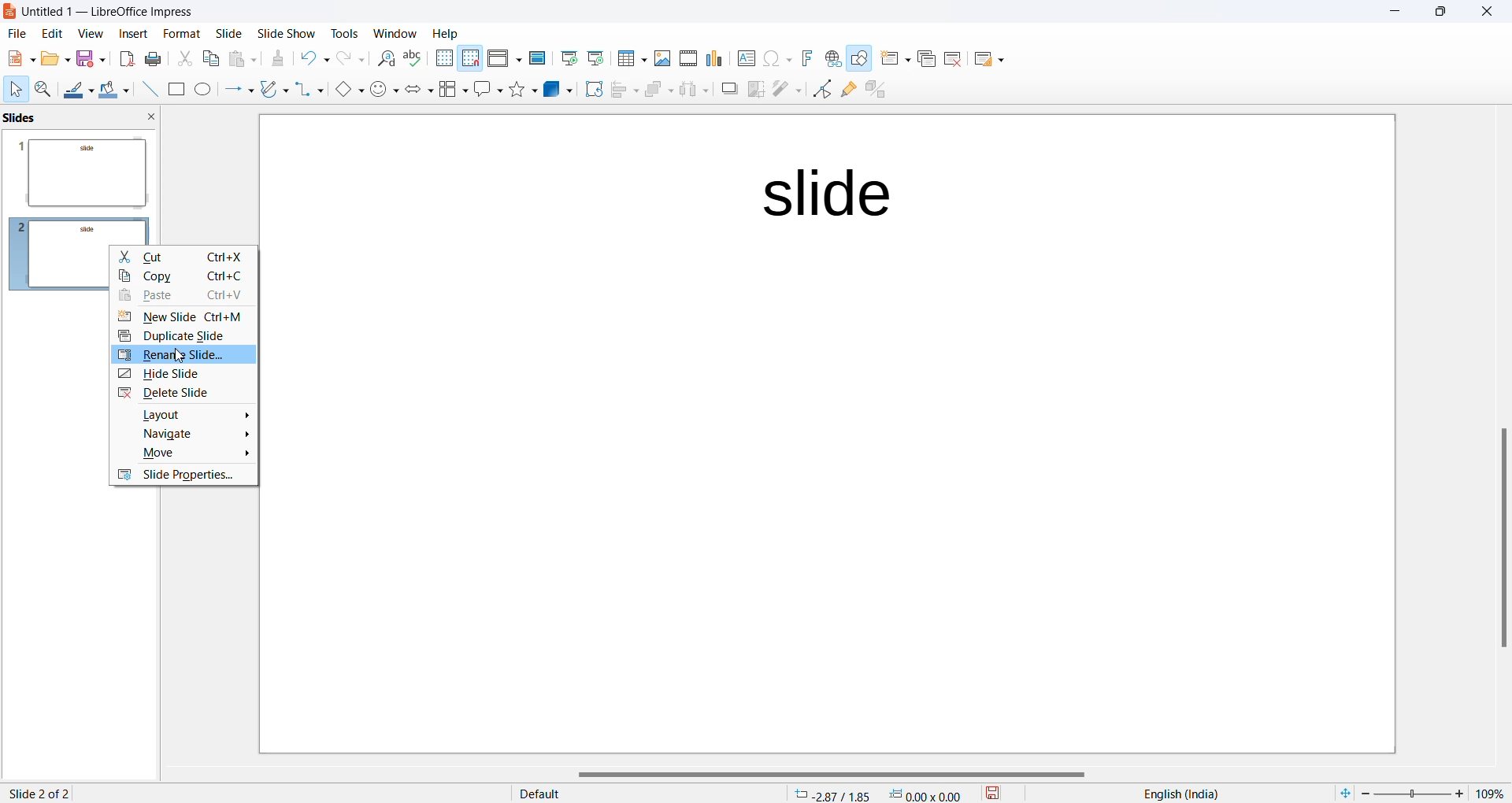 The image size is (1512, 803). What do you see at coordinates (145, 90) in the screenshot?
I see `Line` at bounding box center [145, 90].